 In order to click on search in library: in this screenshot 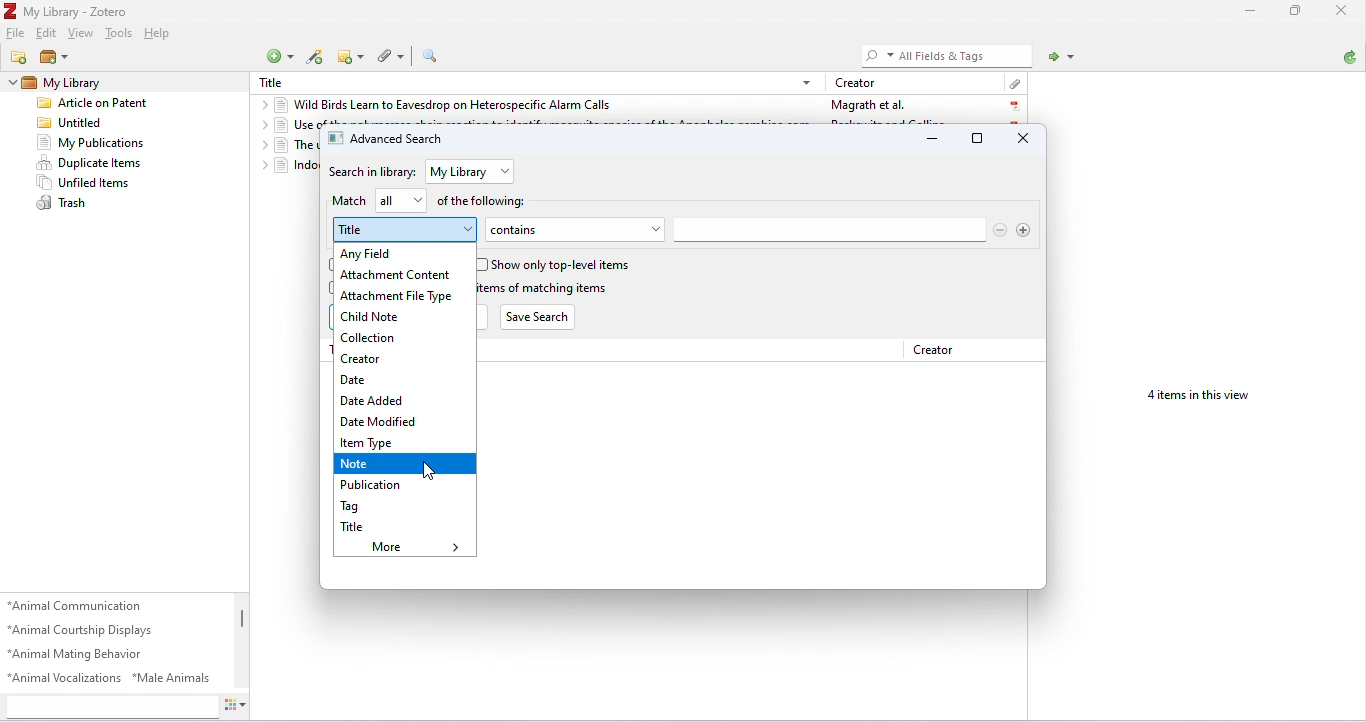, I will do `click(375, 173)`.